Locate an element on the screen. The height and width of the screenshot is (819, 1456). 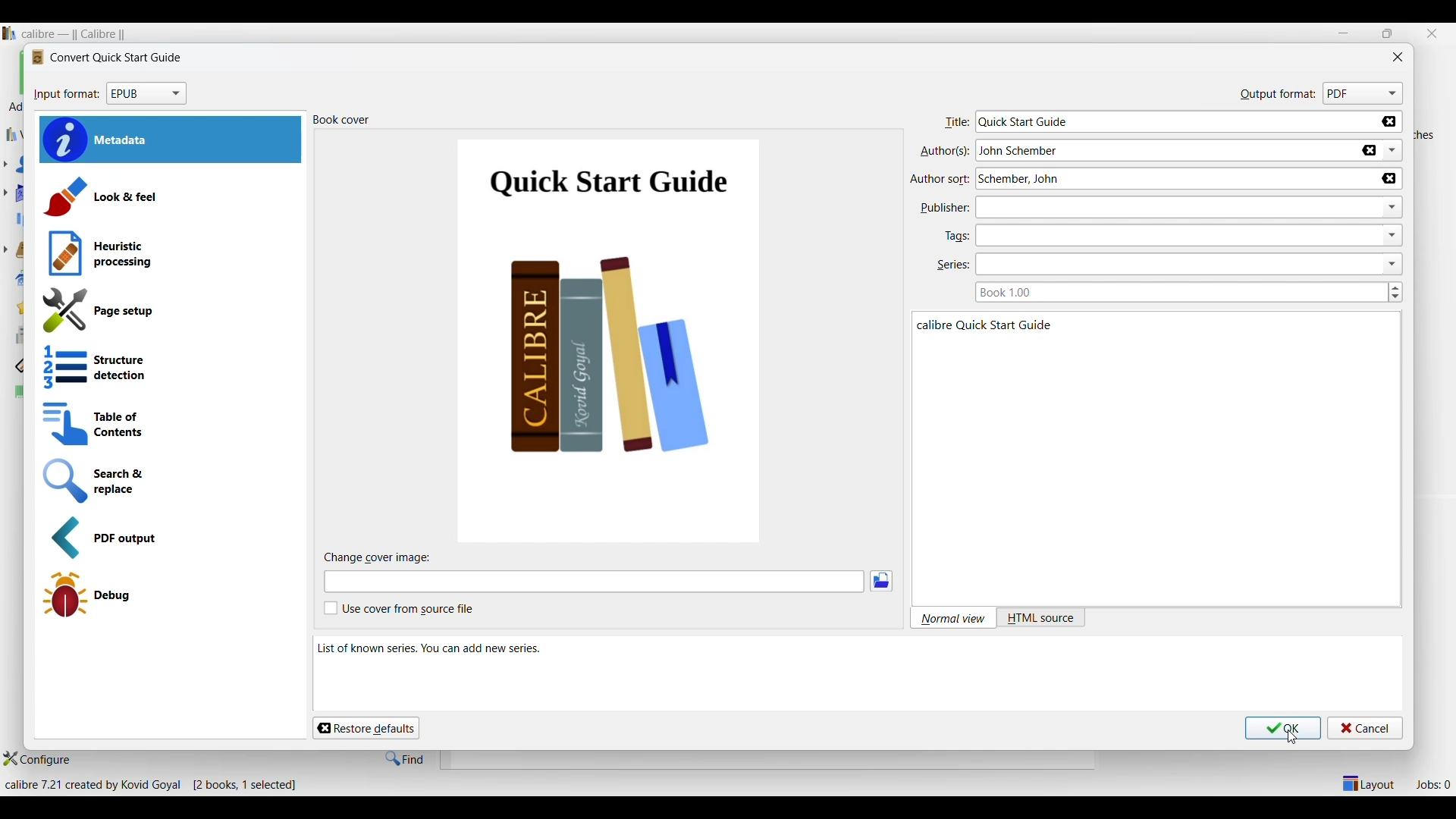
Type in title is located at coordinates (1154, 122).